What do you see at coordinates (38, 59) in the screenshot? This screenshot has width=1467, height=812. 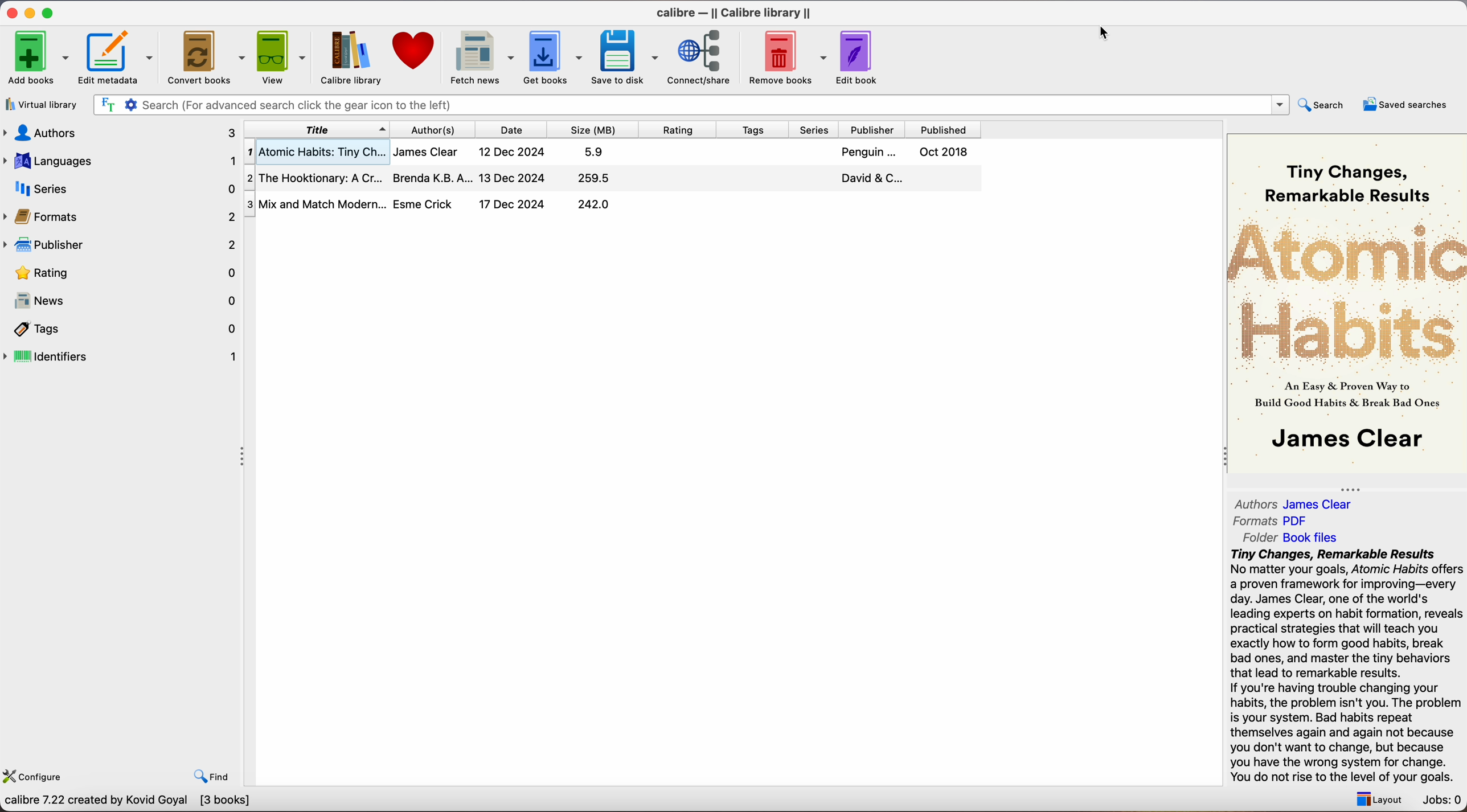 I see `add books` at bounding box center [38, 59].